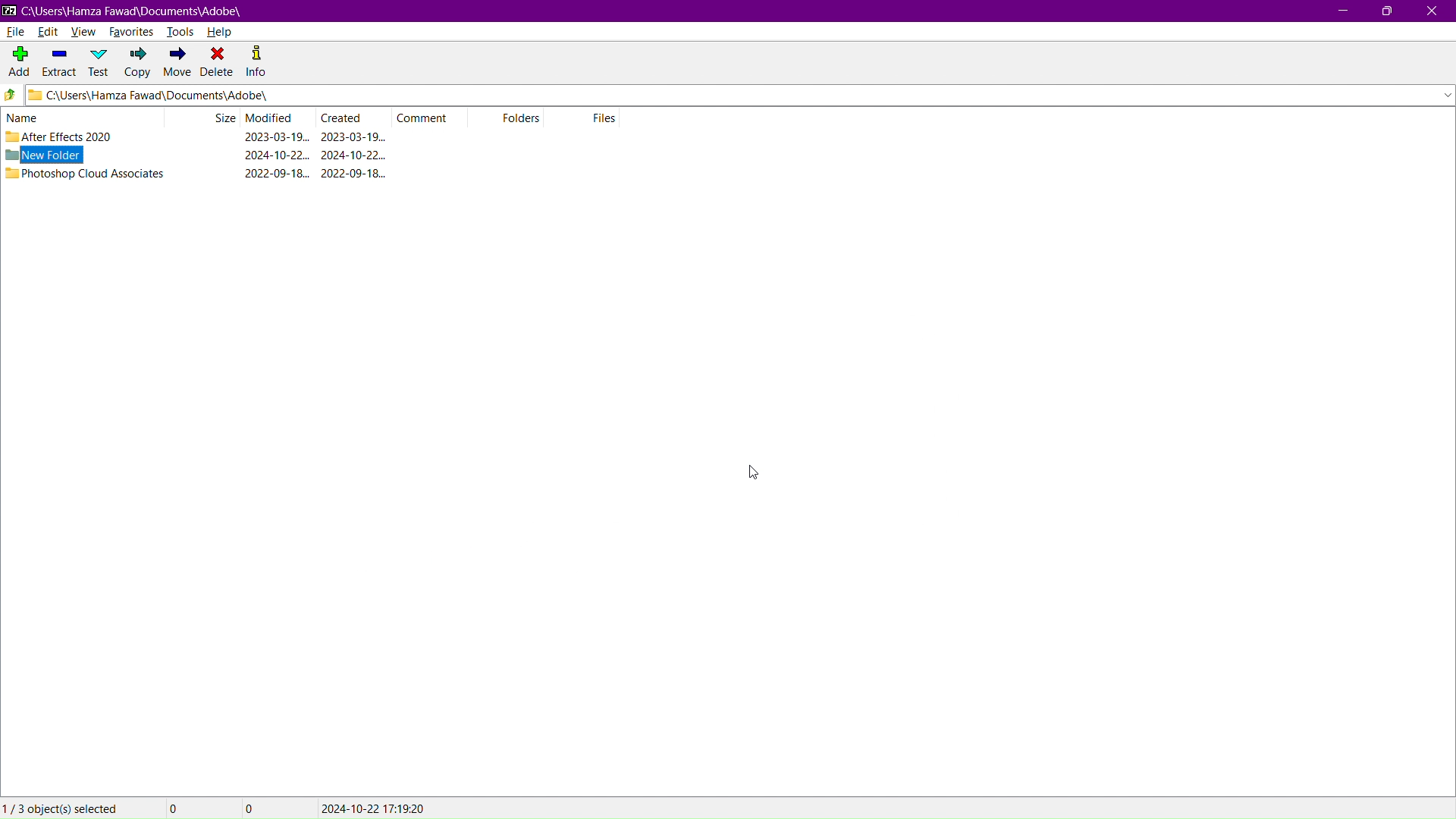 This screenshot has height=819, width=1456. Describe the element at coordinates (278, 155) in the screenshot. I see `modified date & time` at that location.